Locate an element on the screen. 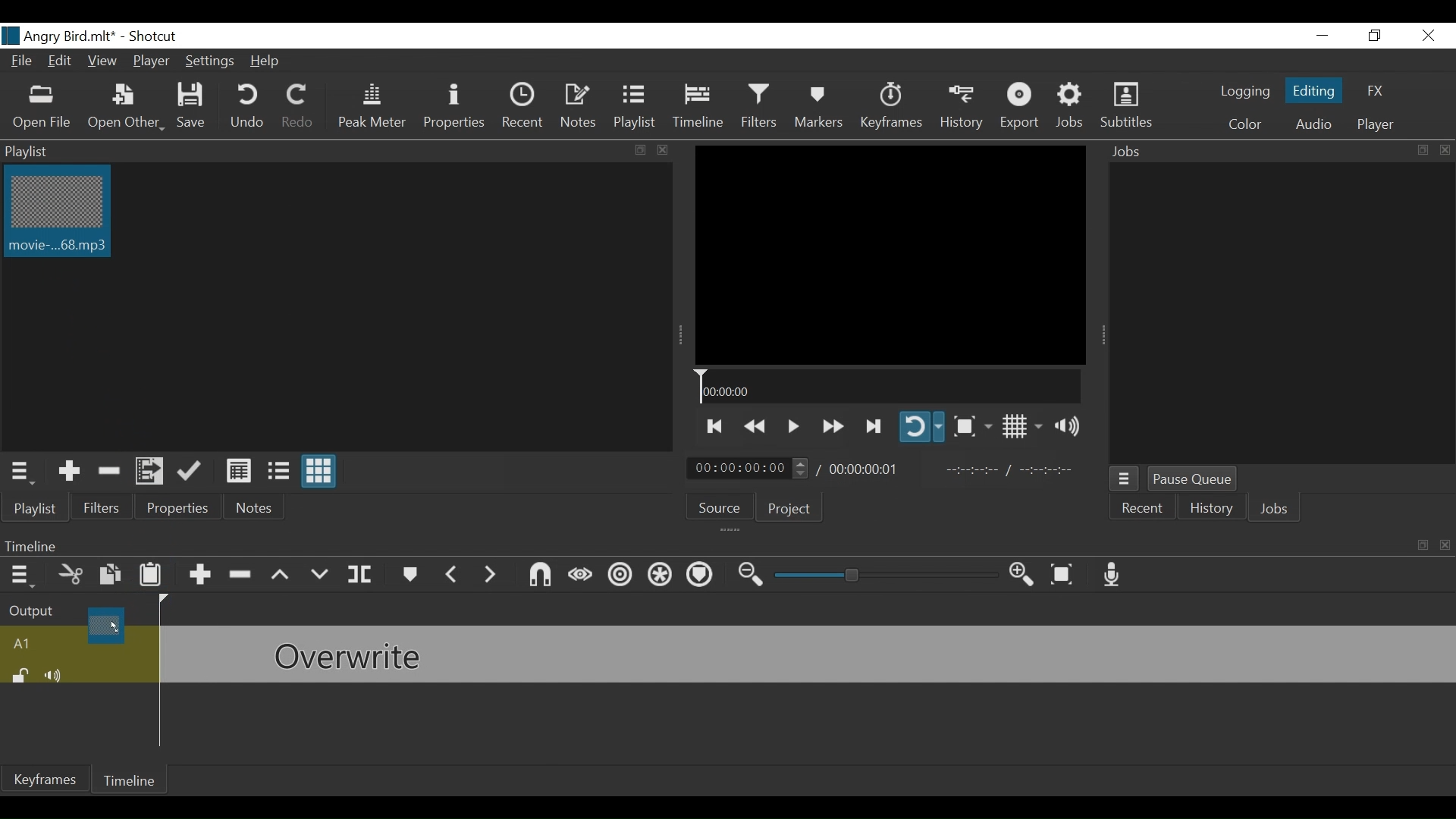 This screenshot has height=819, width=1456. Scrub while dragging is located at coordinates (581, 575).